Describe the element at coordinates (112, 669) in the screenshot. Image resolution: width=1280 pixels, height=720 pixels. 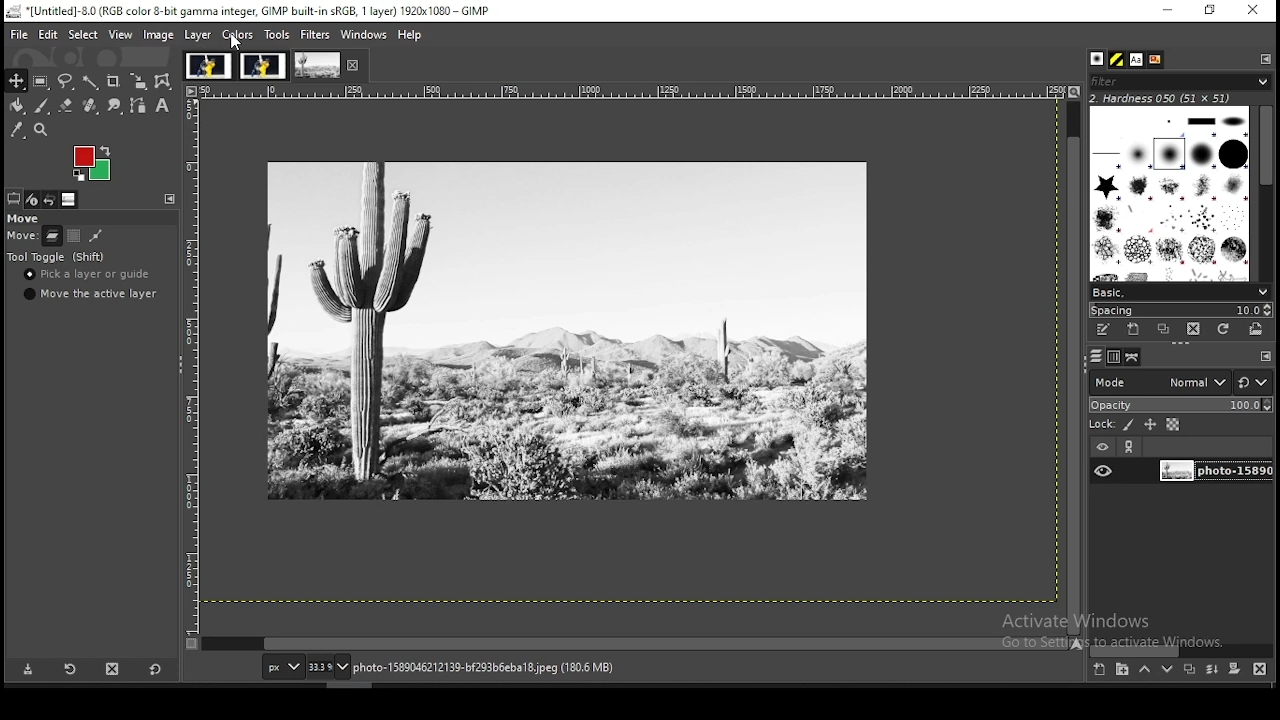
I see `delete tool preset` at that location.